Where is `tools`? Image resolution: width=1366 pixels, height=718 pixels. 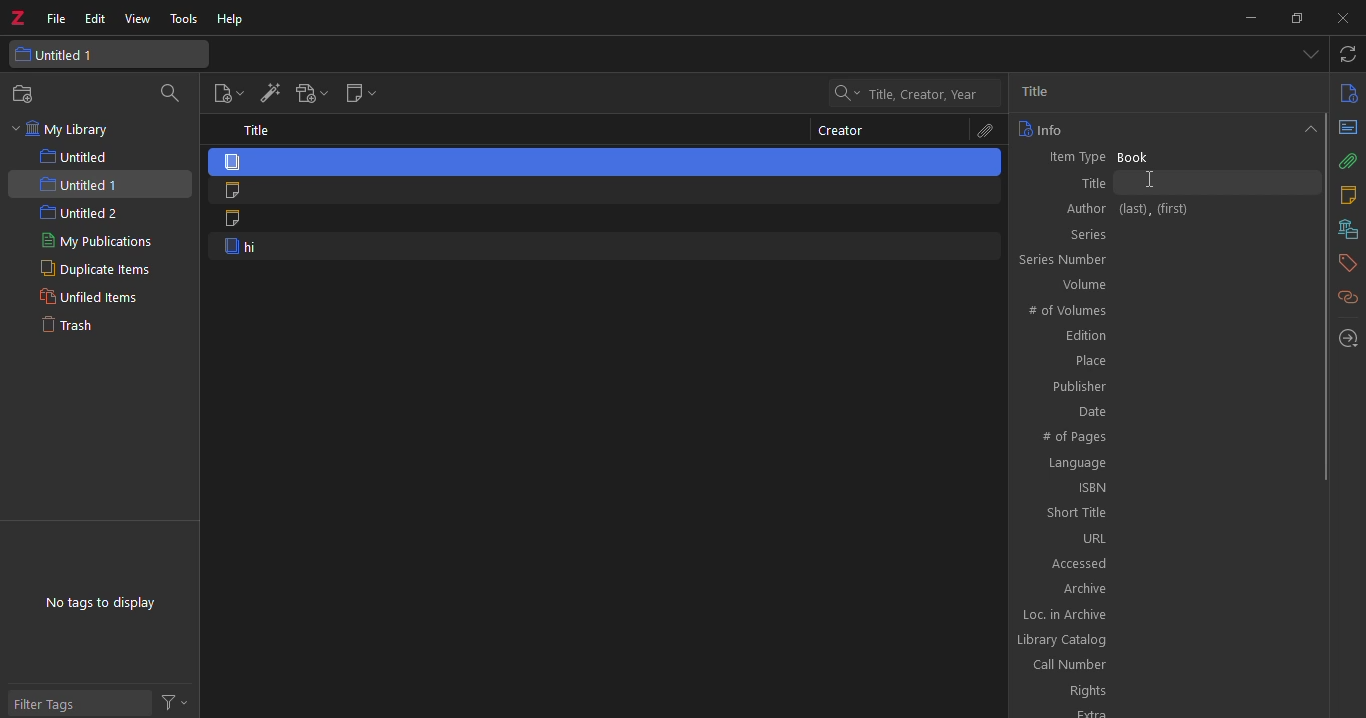 tools is located at coordinates (187, 20).